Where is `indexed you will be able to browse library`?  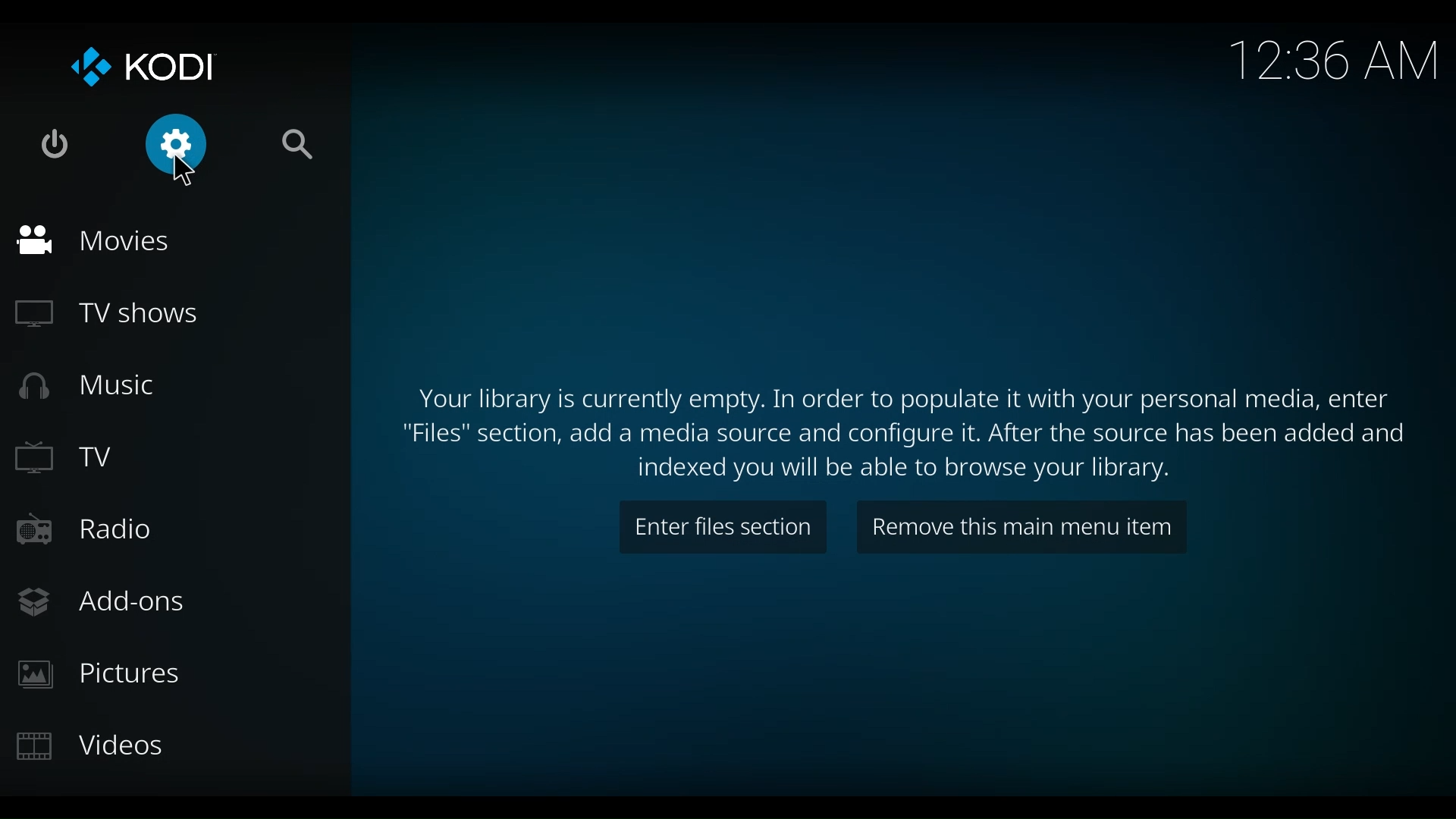 indexed you will be able to browse library is located at coordinates (913, 472).